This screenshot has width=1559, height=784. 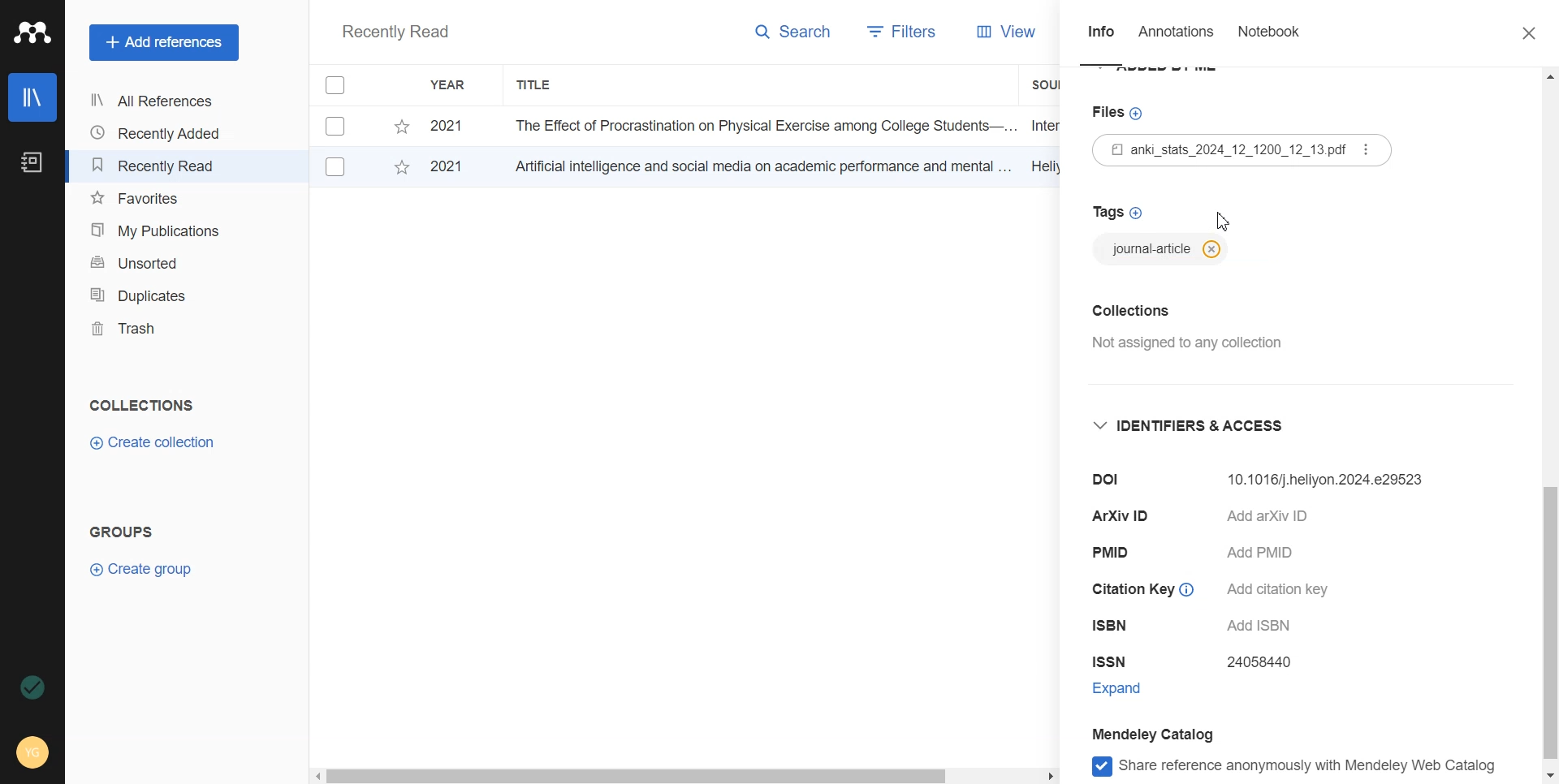 I want to click on options, so click(x=1367, y=151).